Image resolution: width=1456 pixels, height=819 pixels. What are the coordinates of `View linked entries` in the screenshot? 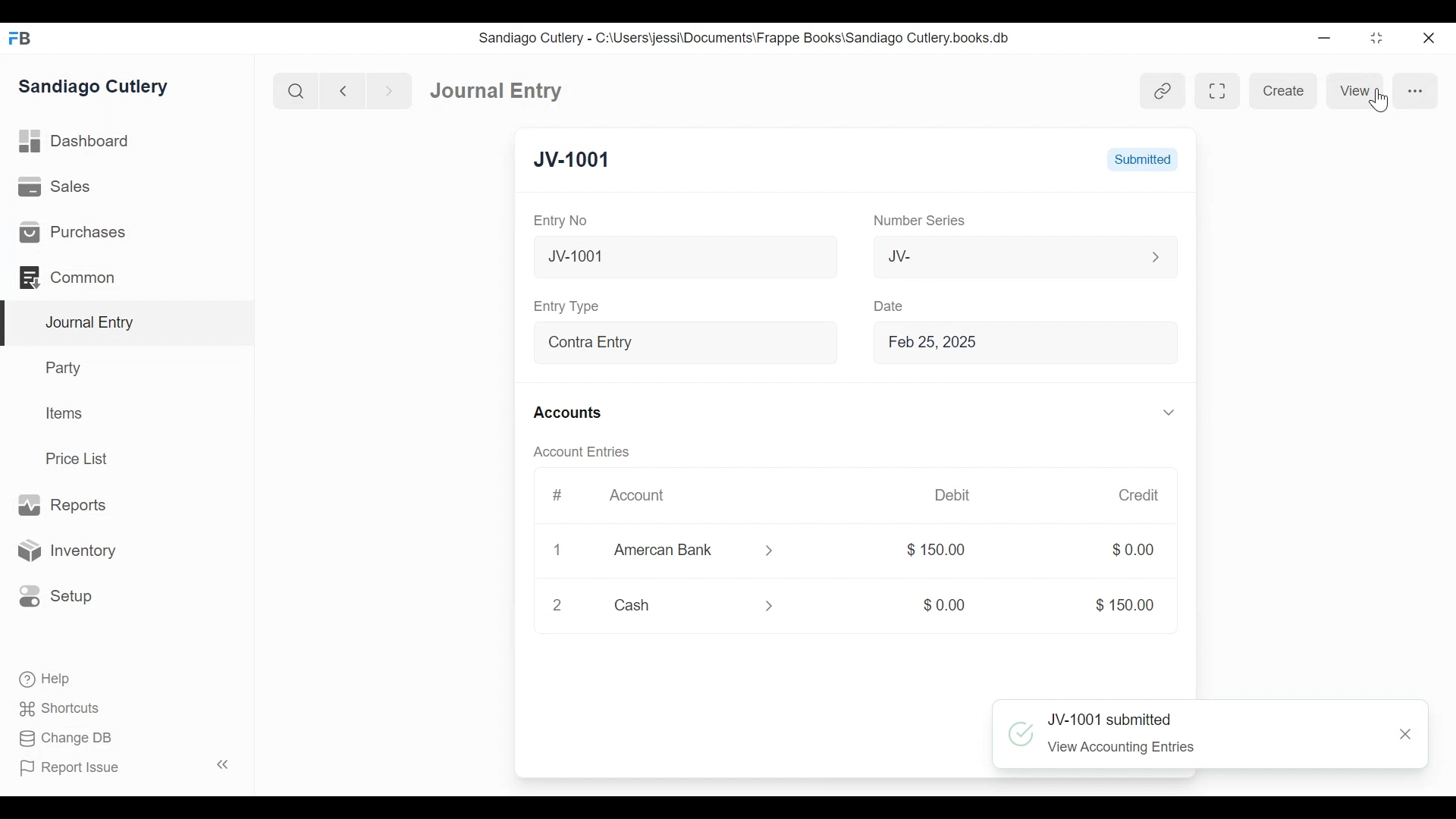 It's located at (1166, 91).